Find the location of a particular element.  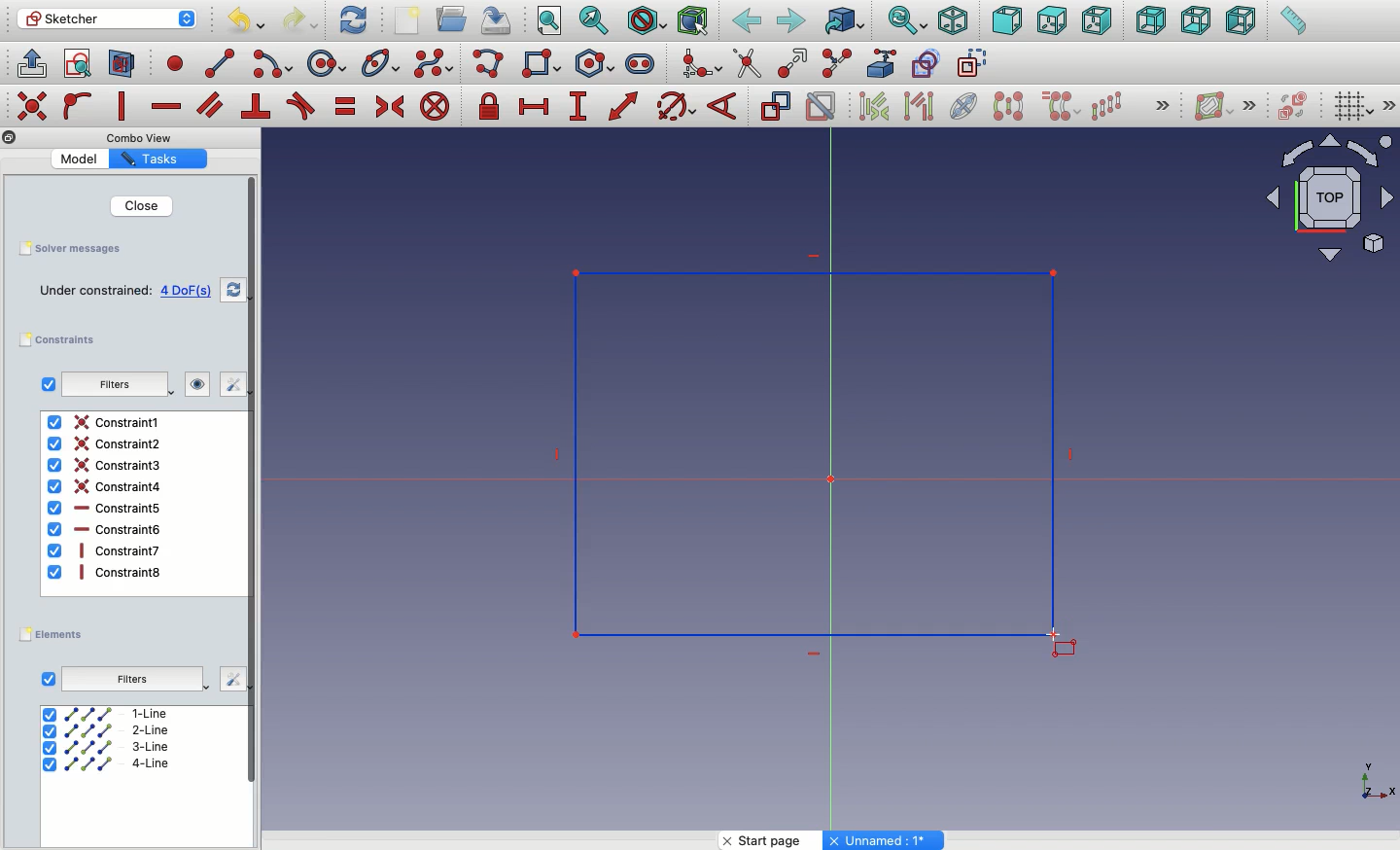

scroll is located at coordinates (254, 511).